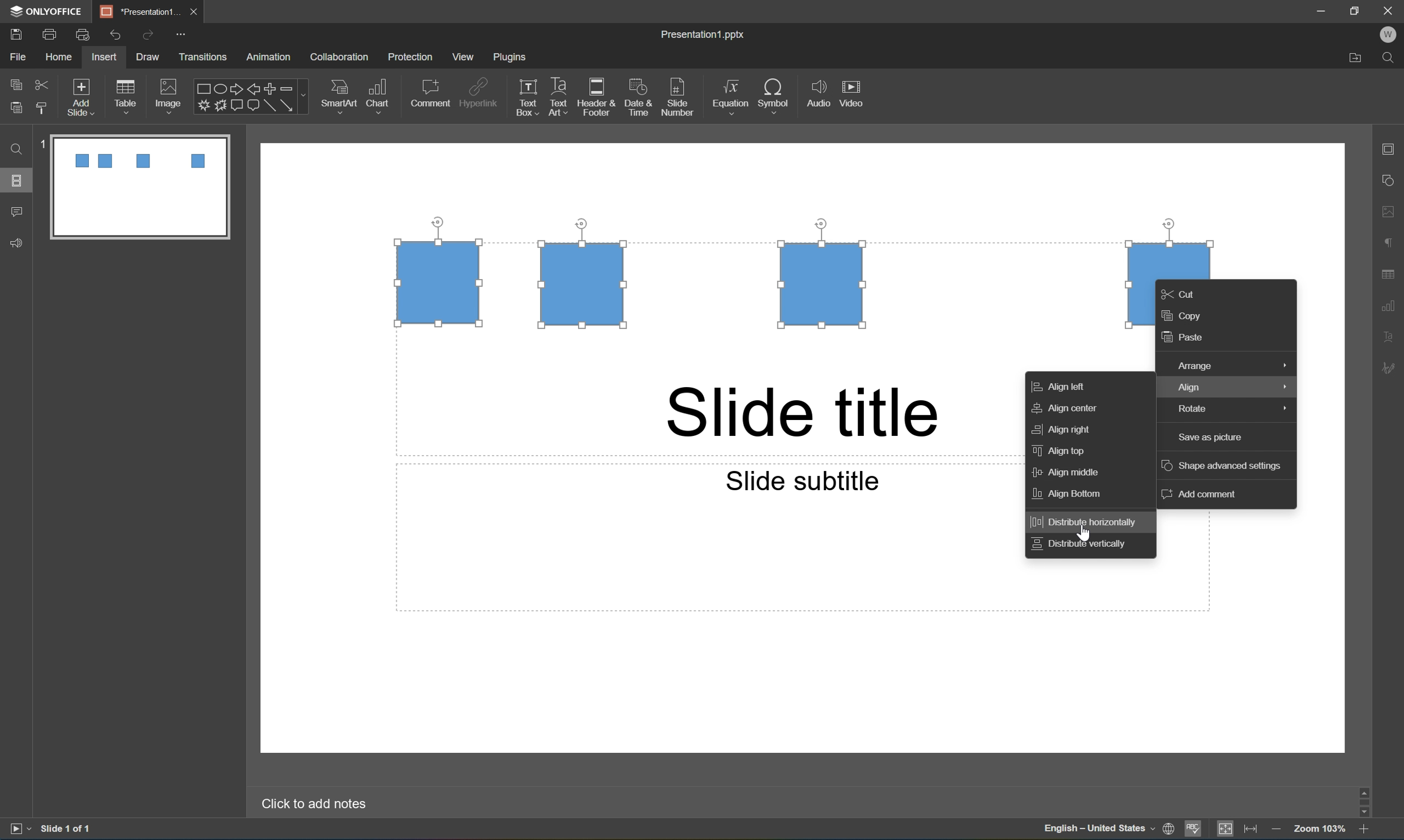 Image resolution: width=1404 pixels, height=840 pixels. Describe the element at coordinates (1195, 830) in the screenshot. I see `spell checking` at that location.